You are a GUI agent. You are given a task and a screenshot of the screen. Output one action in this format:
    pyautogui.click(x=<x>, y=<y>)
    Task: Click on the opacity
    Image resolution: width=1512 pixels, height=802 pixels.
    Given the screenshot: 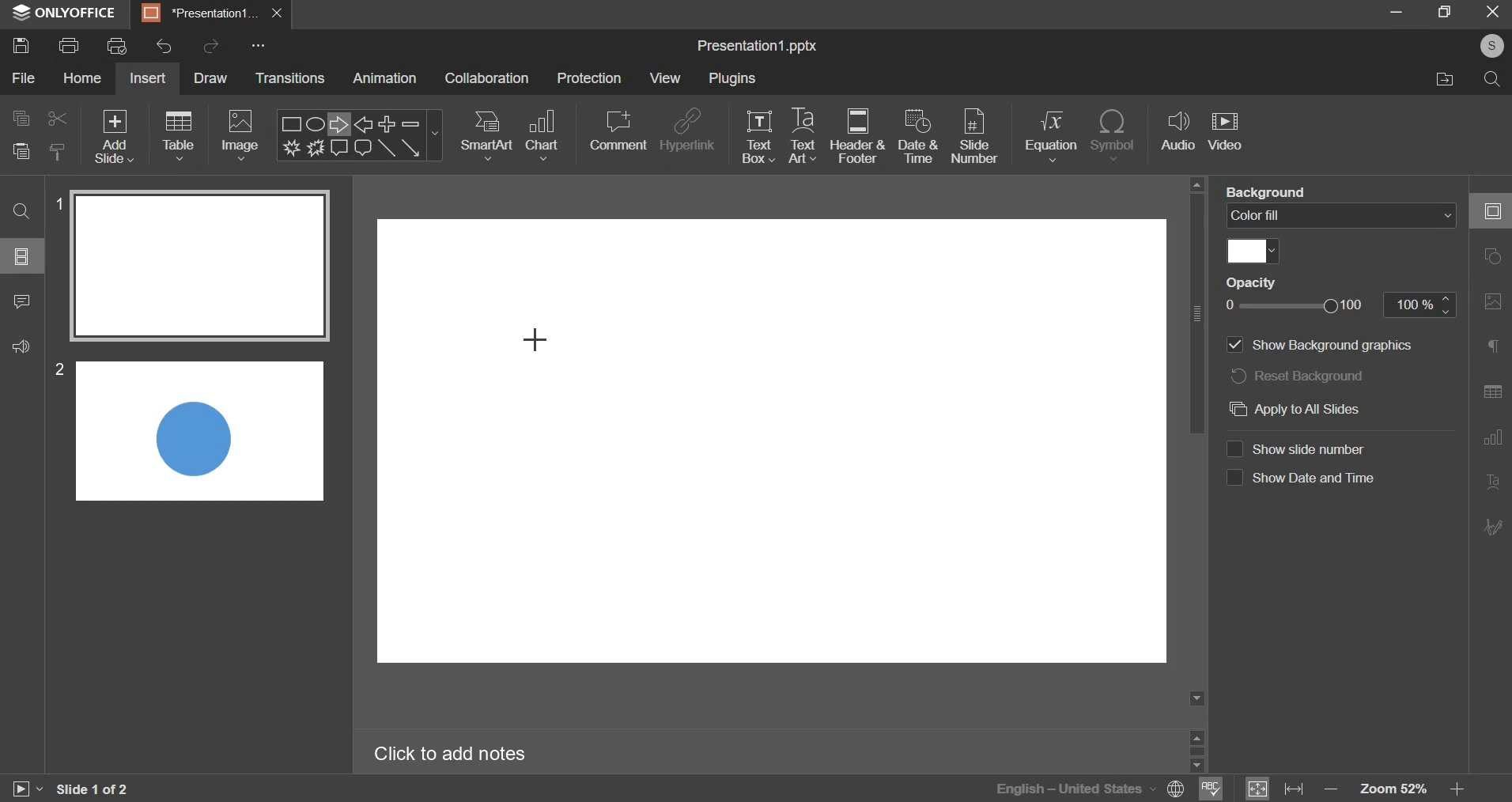 What is the action you would take?
    pyautogui.click(x=1258, y=282)
    